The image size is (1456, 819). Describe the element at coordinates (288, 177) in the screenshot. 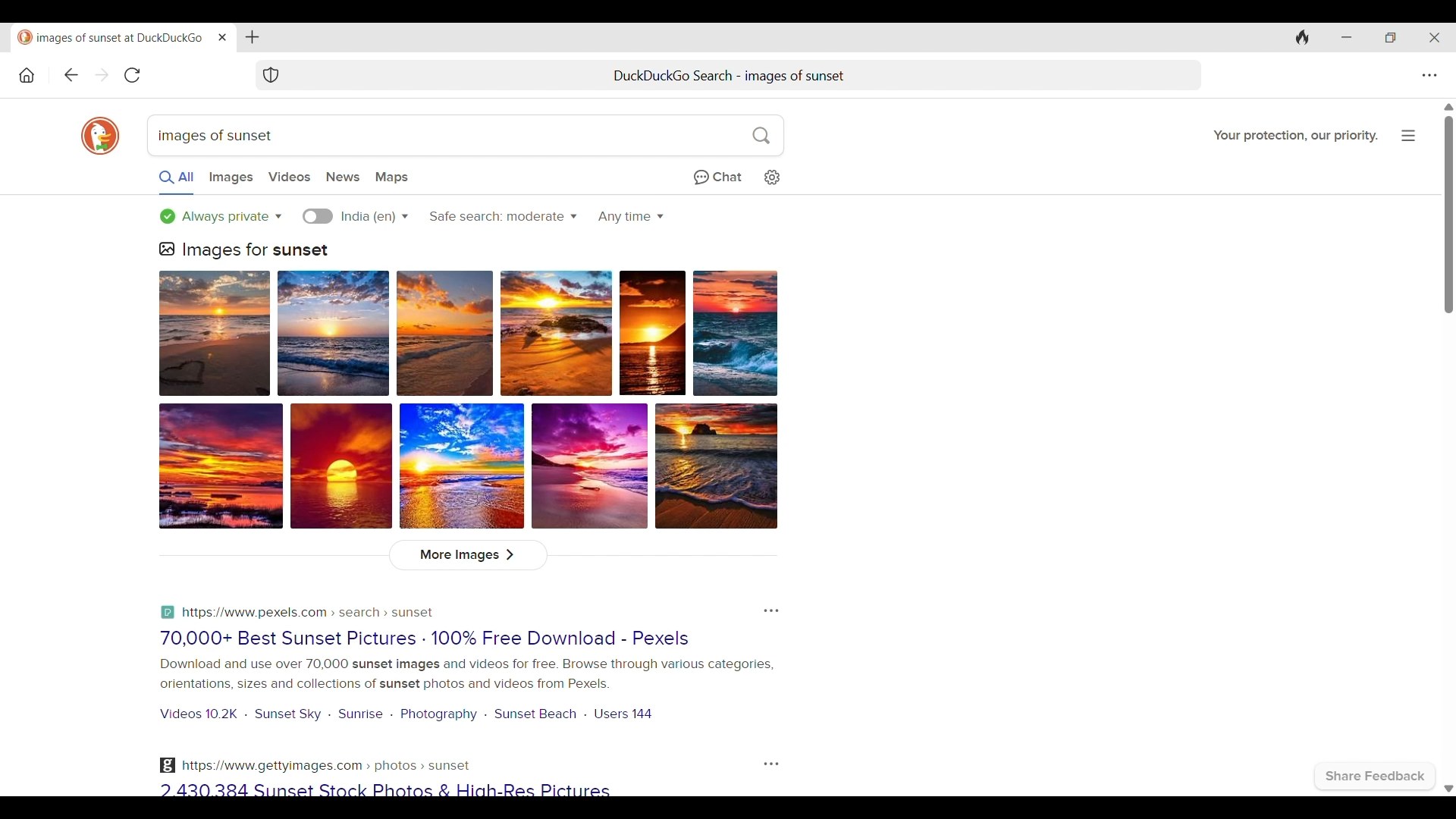

I see `Search videos` at that location.